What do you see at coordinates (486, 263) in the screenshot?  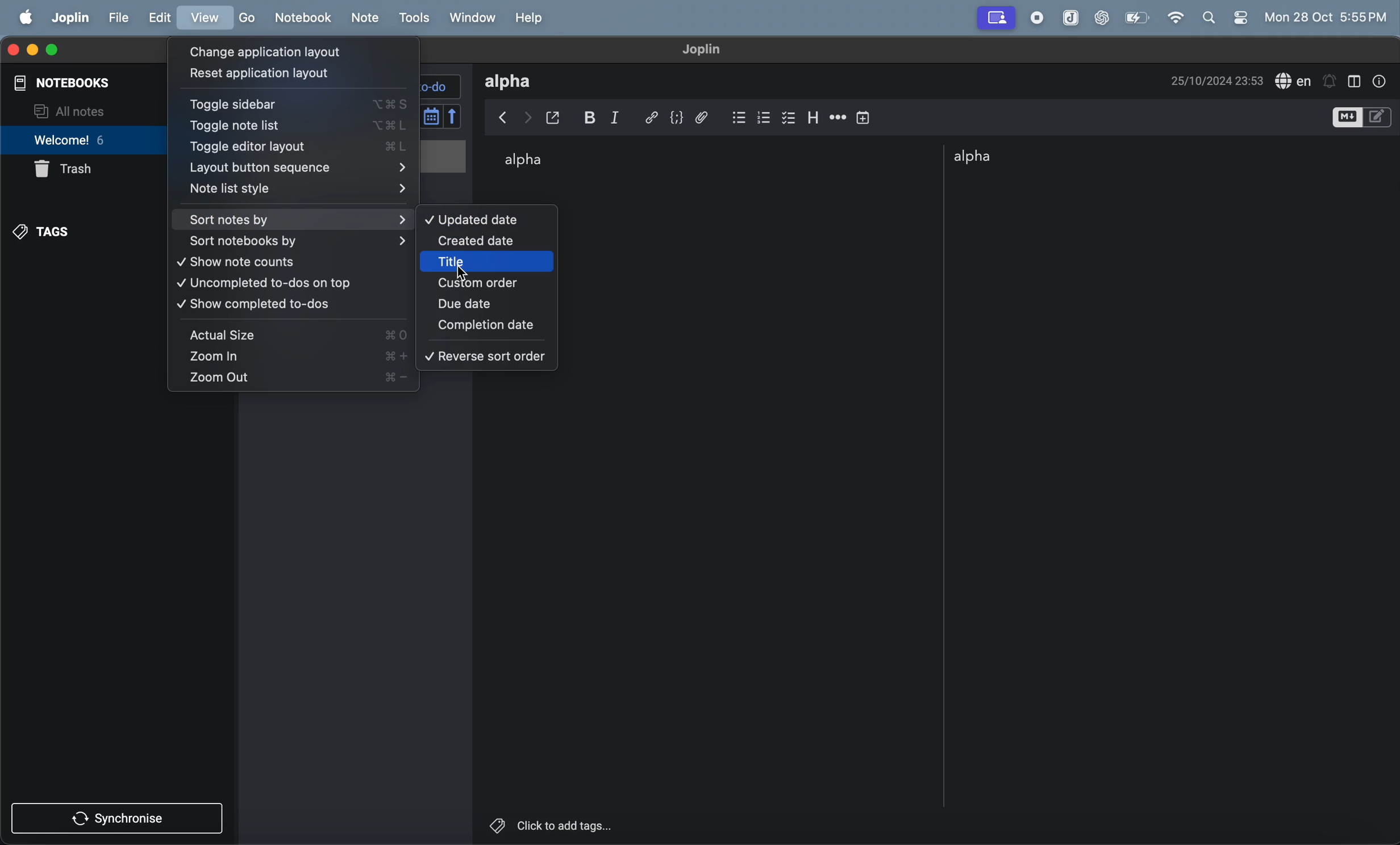 I see `title` at bounding box center [486, 263].